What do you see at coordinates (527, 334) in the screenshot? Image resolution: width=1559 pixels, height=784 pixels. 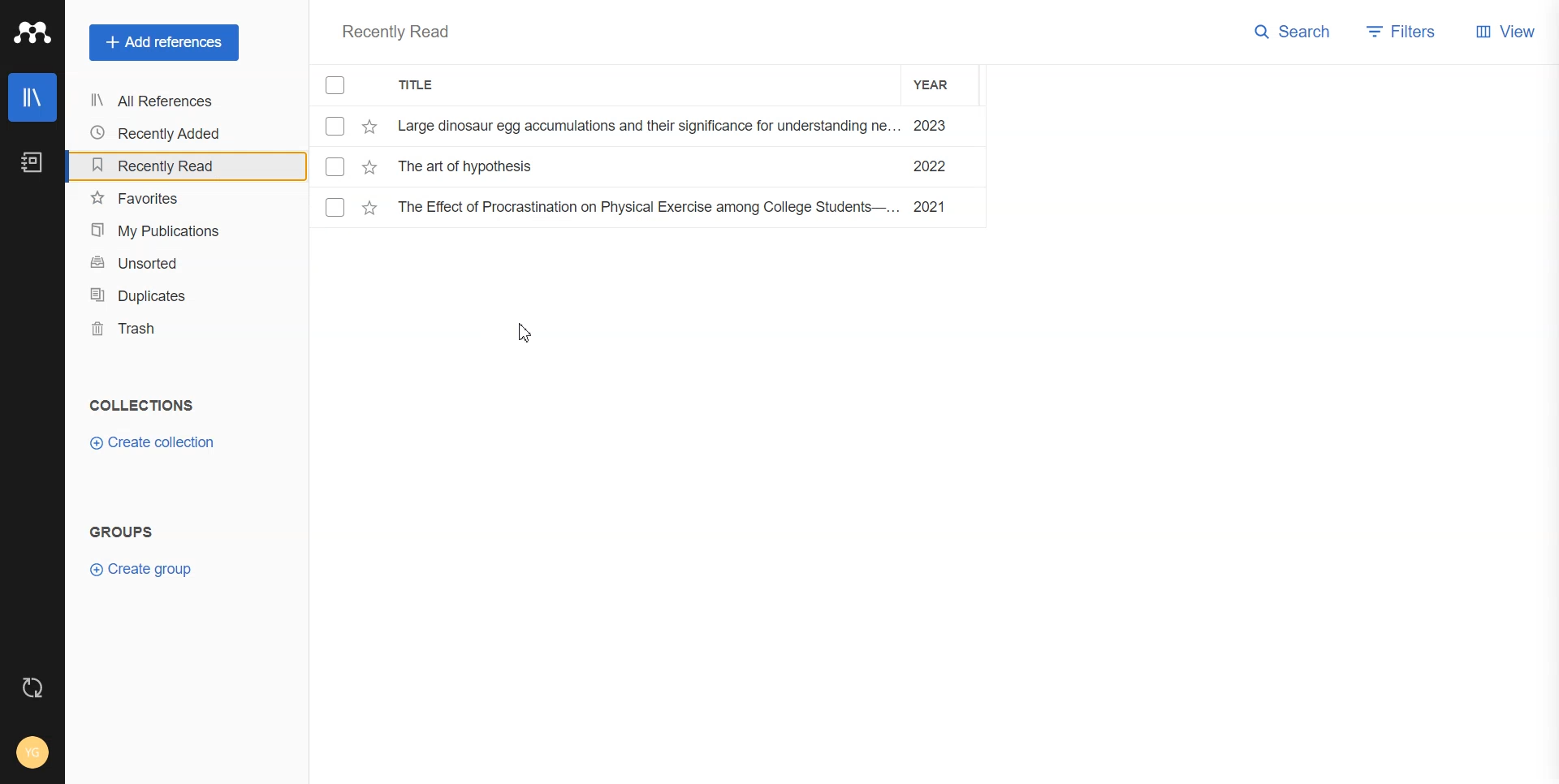 I see `Cursor` at bounding box center [527, 334].